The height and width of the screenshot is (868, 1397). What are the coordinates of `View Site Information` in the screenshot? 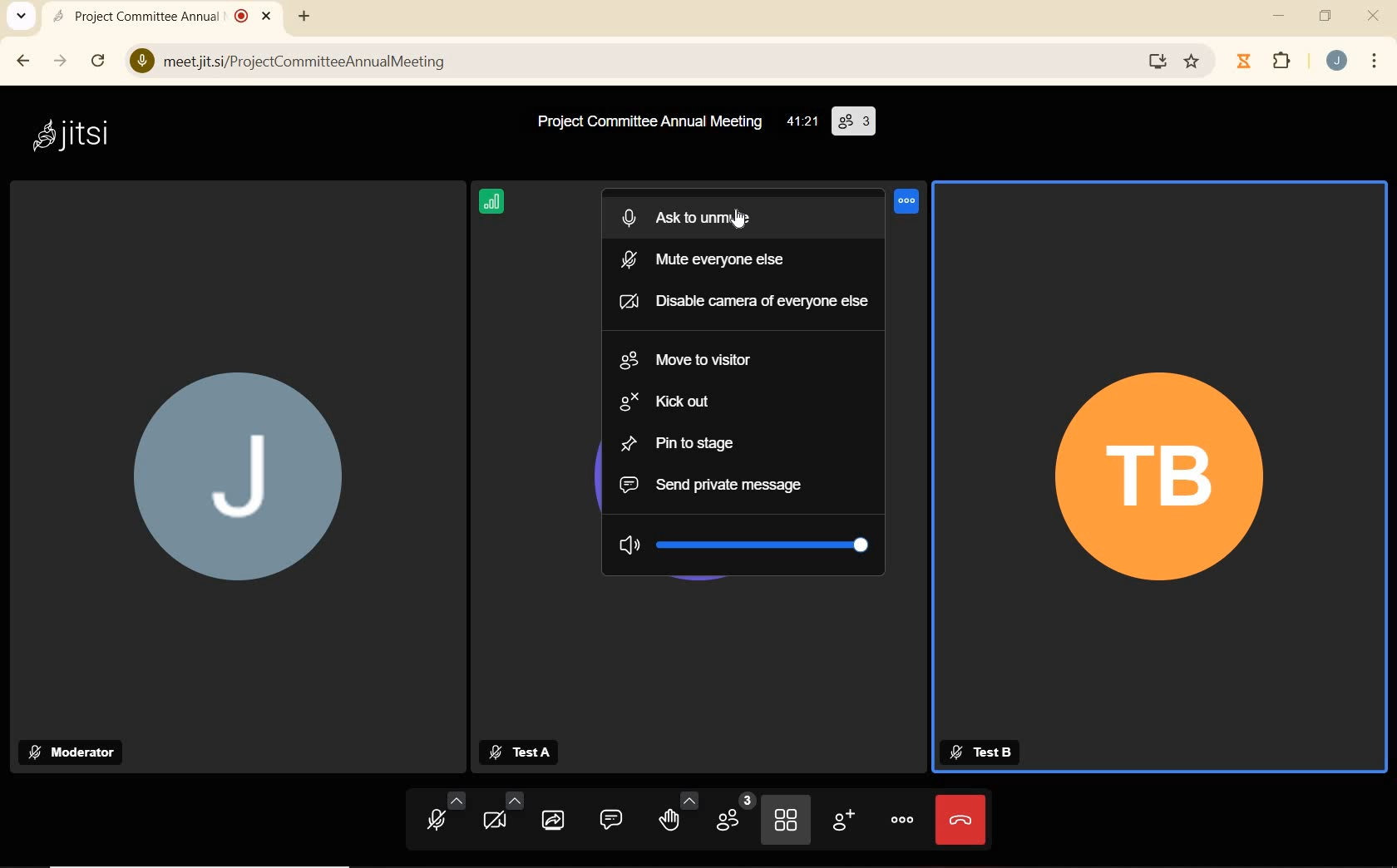 It's located at (142, 62).